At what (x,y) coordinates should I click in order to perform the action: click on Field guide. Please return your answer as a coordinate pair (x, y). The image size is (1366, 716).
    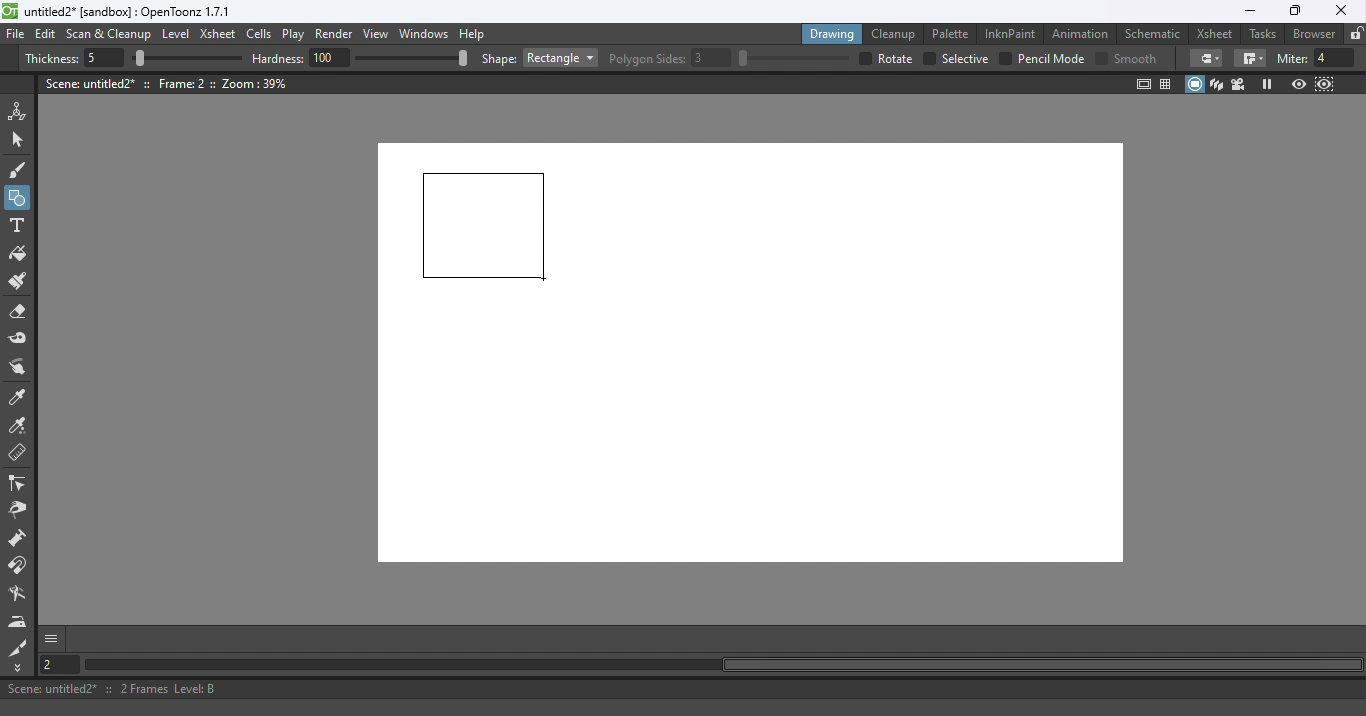
    Looking at the image, I should click on (1169, 83).